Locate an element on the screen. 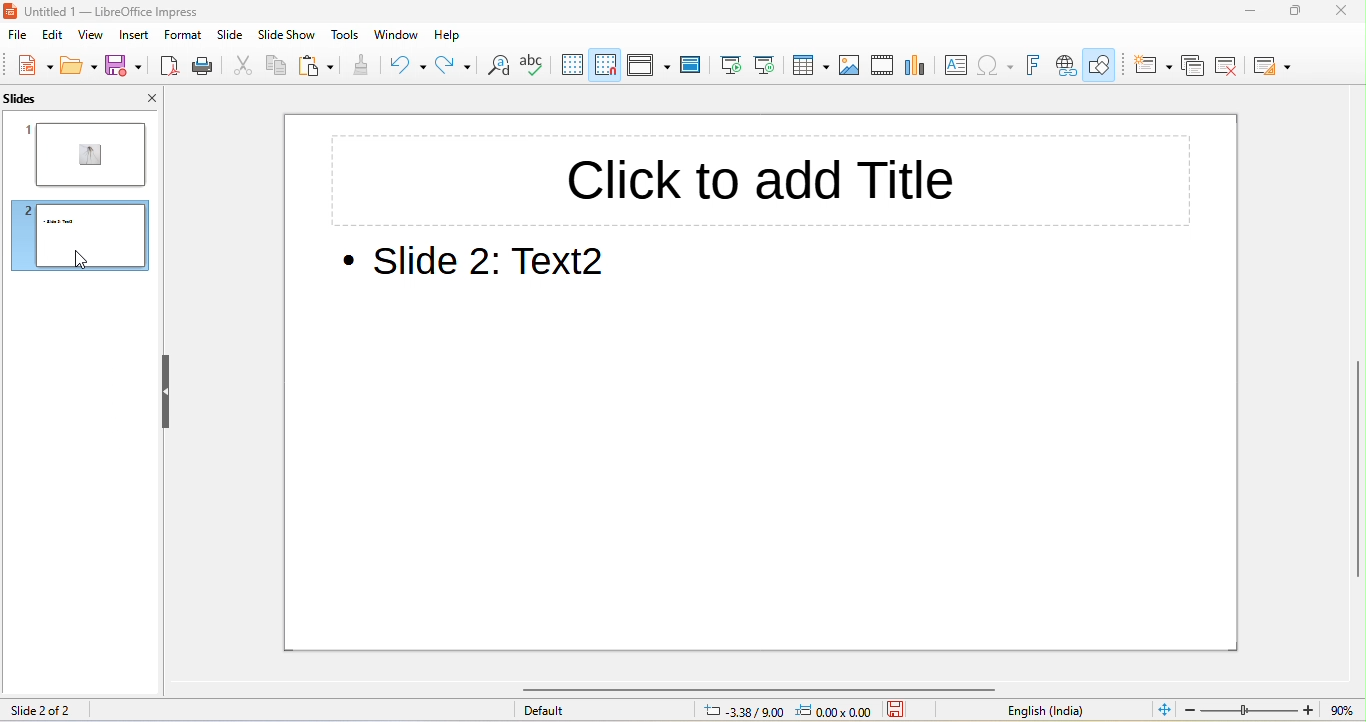  undo is located at coordinates (406, 68).